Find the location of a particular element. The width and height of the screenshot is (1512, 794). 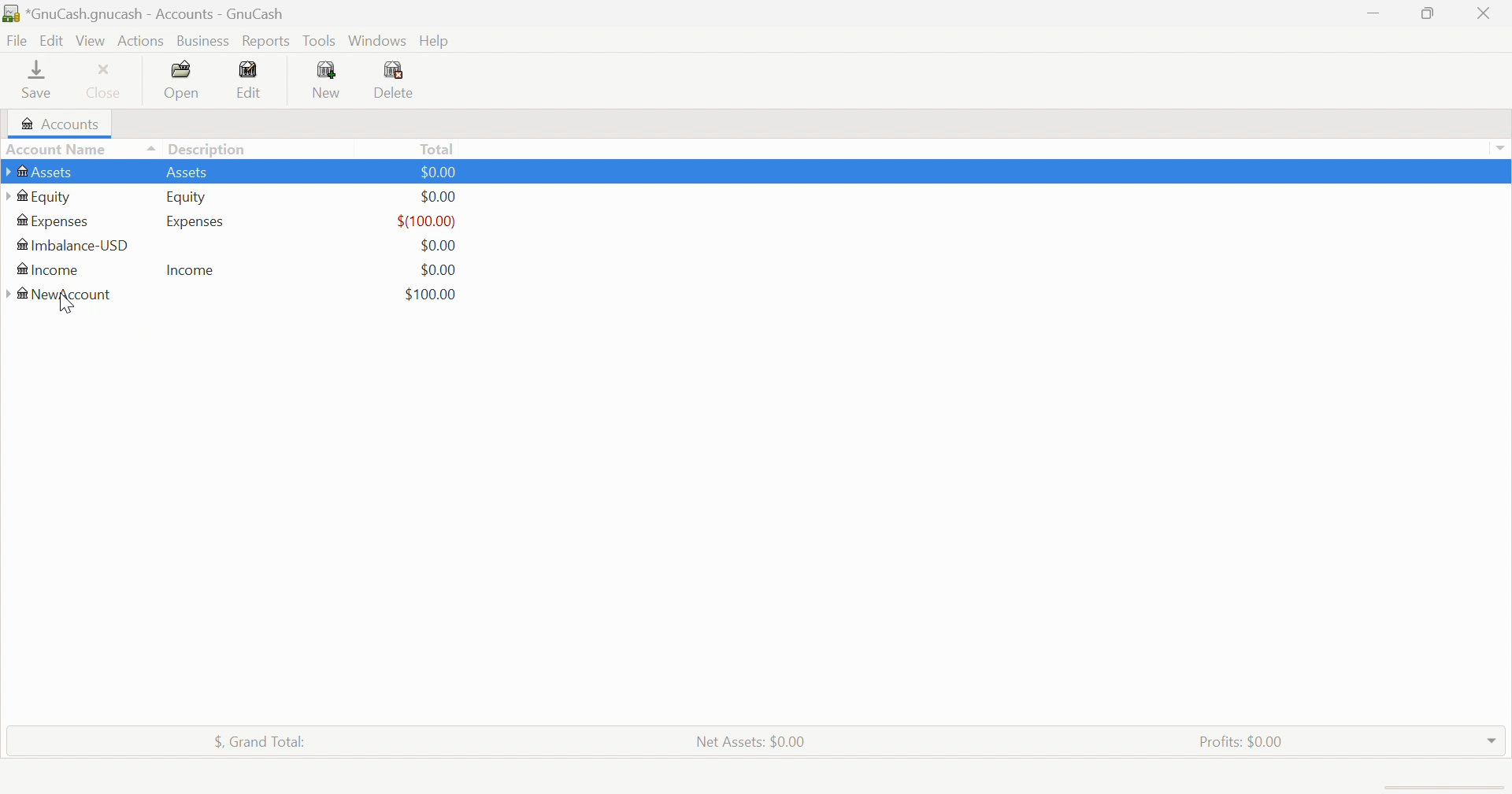

$0.00 is located at coordinates (441, 271).